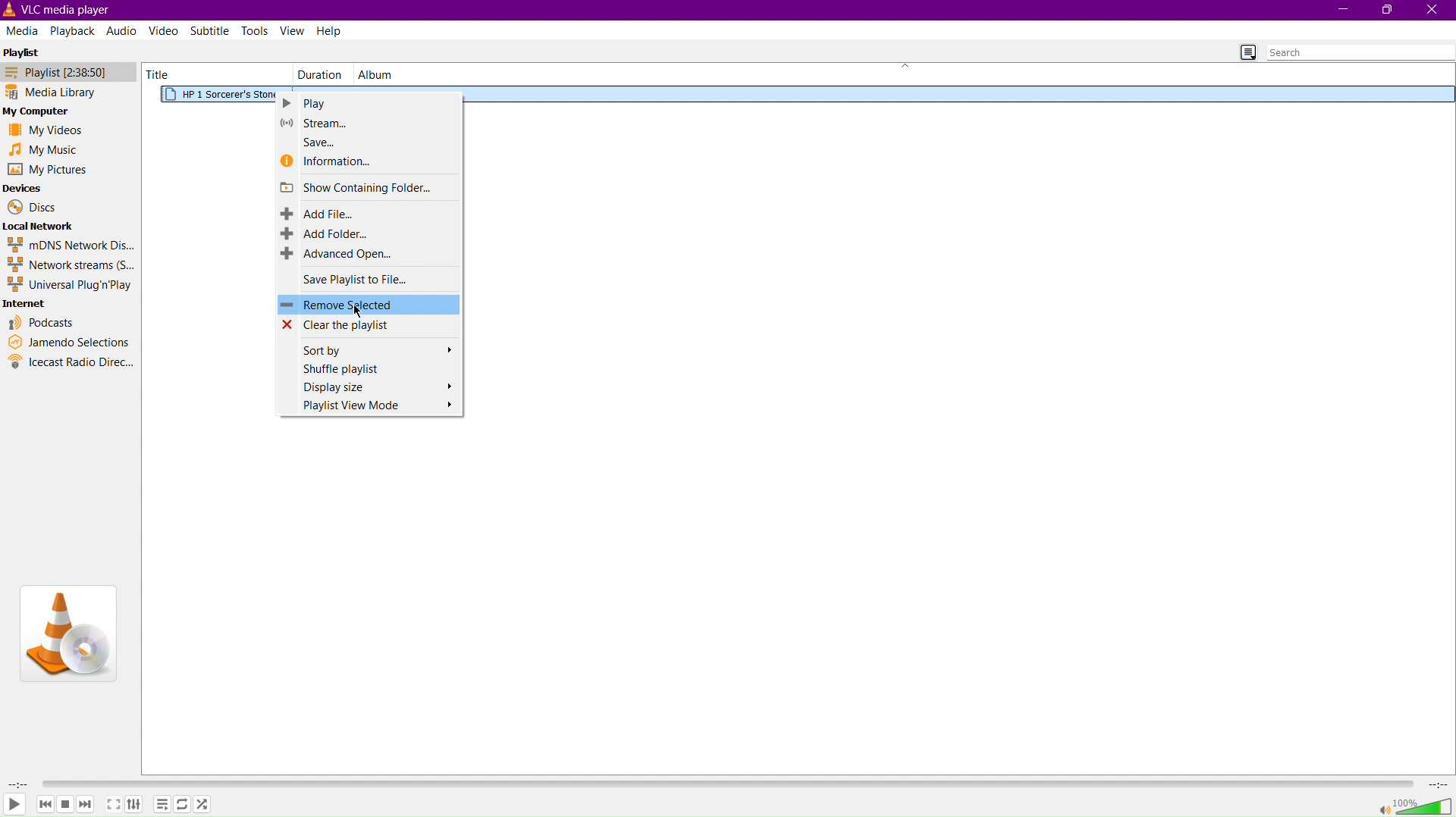 This screenshot has height=817, width=1456. Describe the element at coordinates (204, 803) in the screenshot. I see `Random` at that location.